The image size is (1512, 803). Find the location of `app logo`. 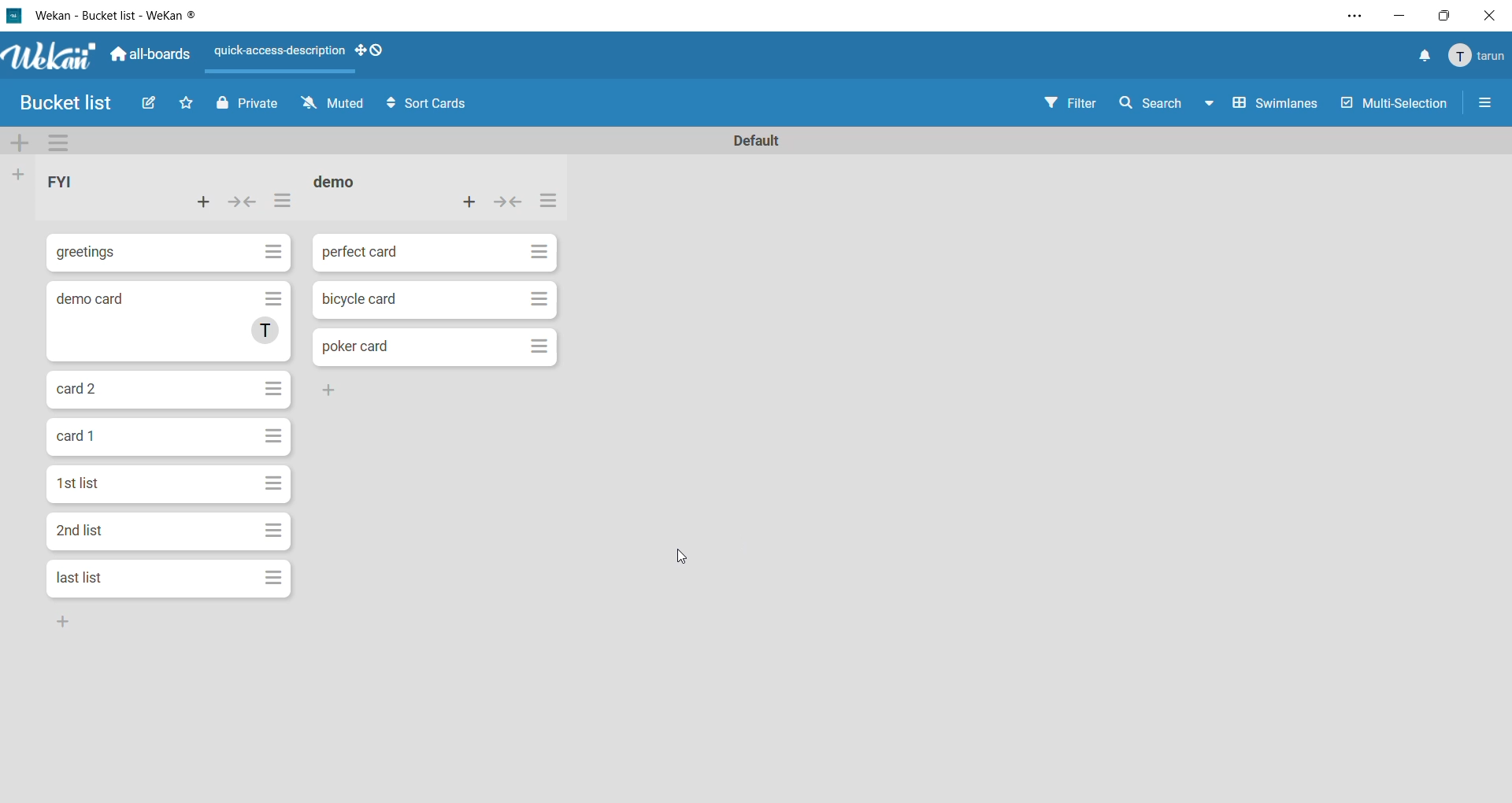

app logo is located at coordinates (50, 57).